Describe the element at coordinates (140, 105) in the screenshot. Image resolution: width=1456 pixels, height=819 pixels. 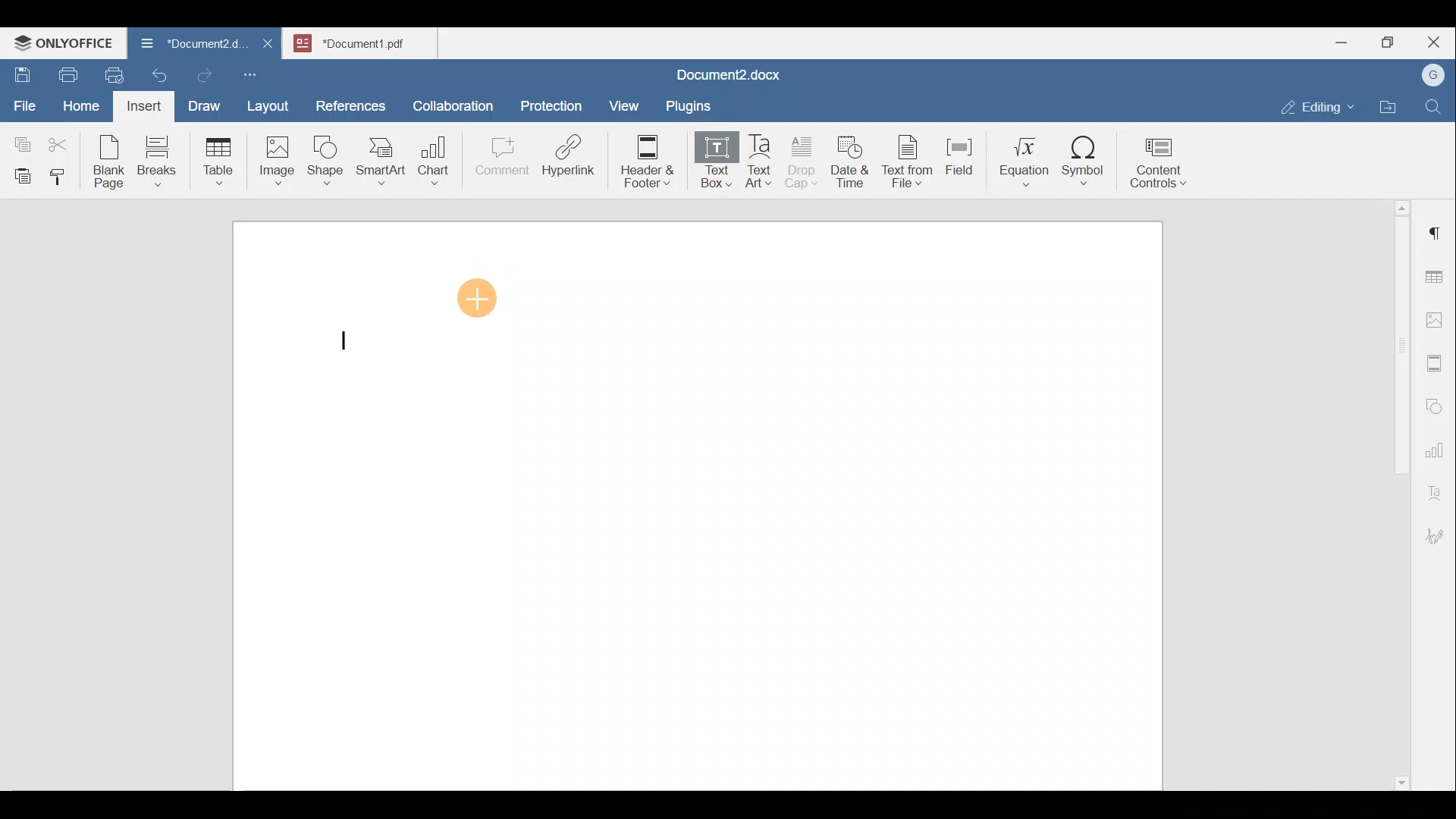
I see `Insert` at that location.